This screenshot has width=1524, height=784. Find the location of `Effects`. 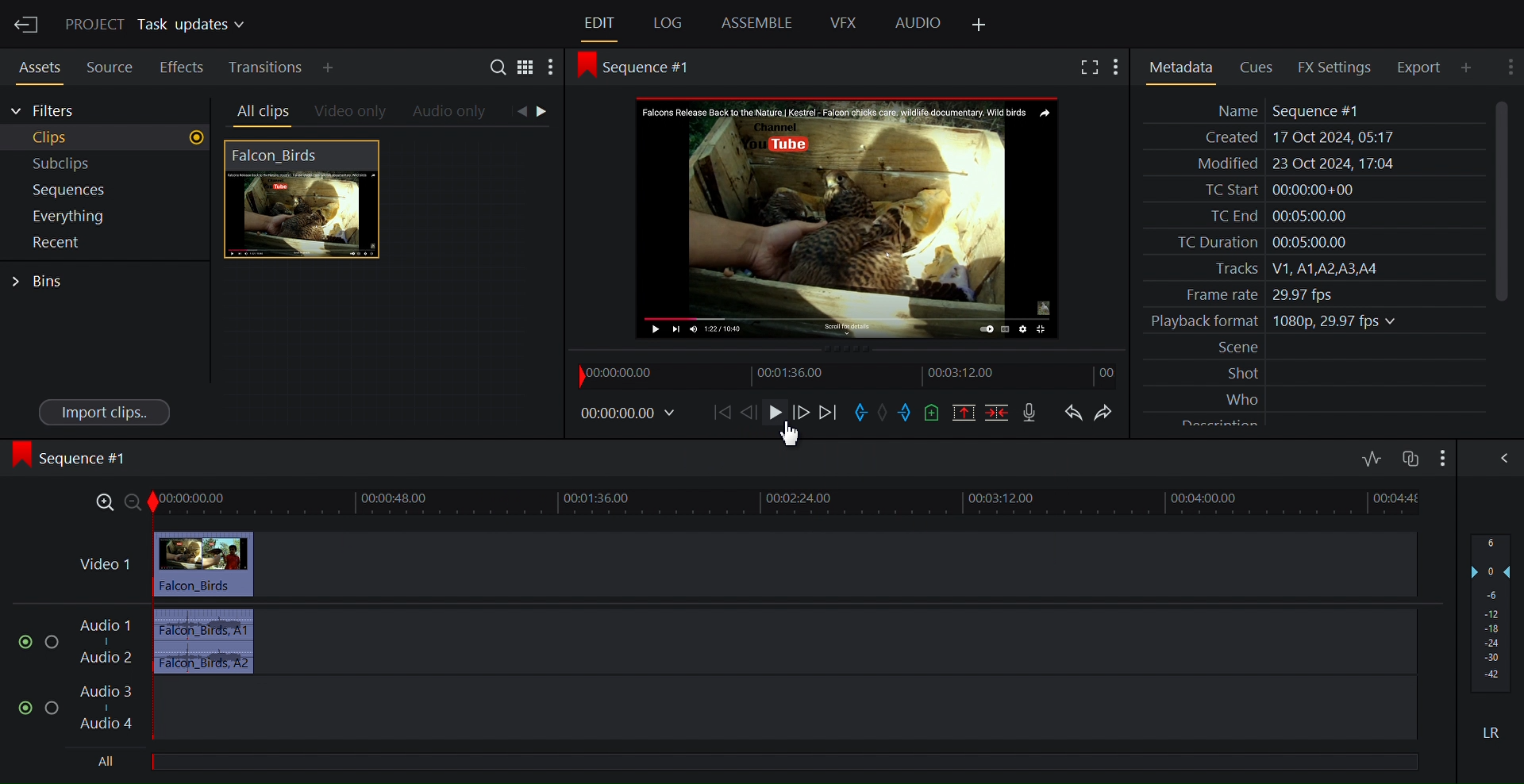

Effects is located at coordinates (182, 65).